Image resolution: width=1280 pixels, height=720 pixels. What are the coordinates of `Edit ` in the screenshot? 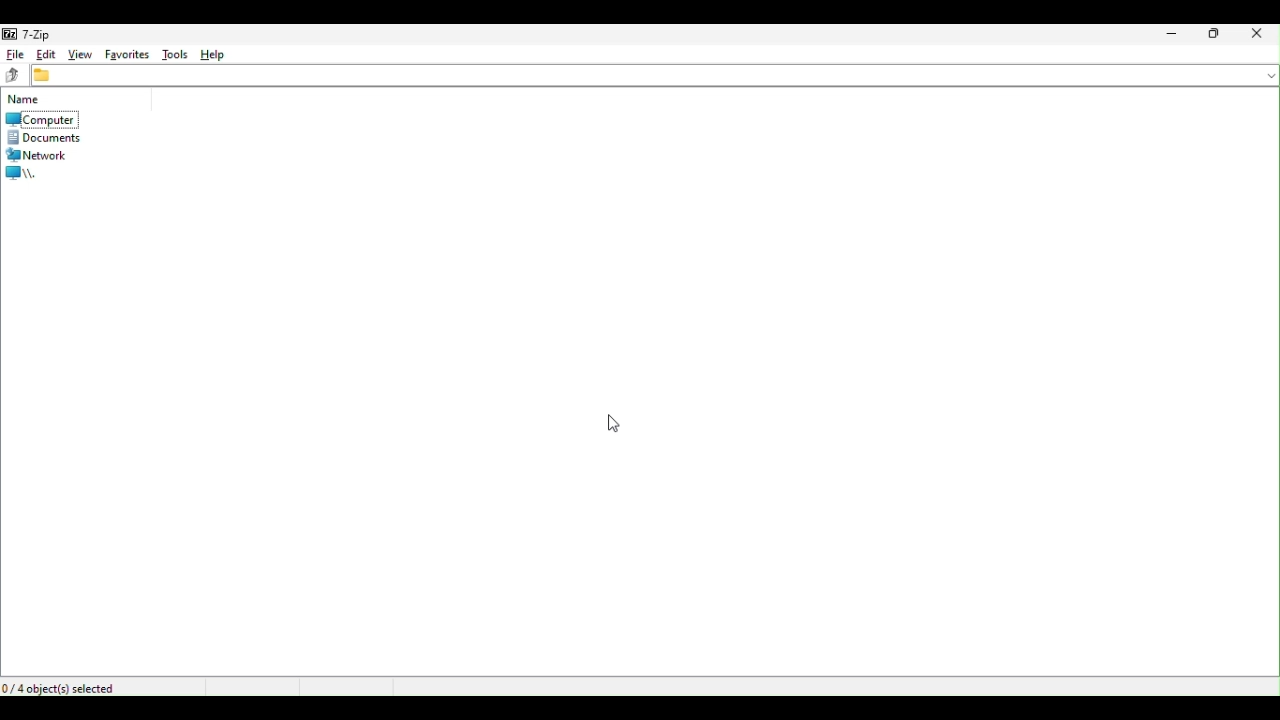 It's located at (46, 53).